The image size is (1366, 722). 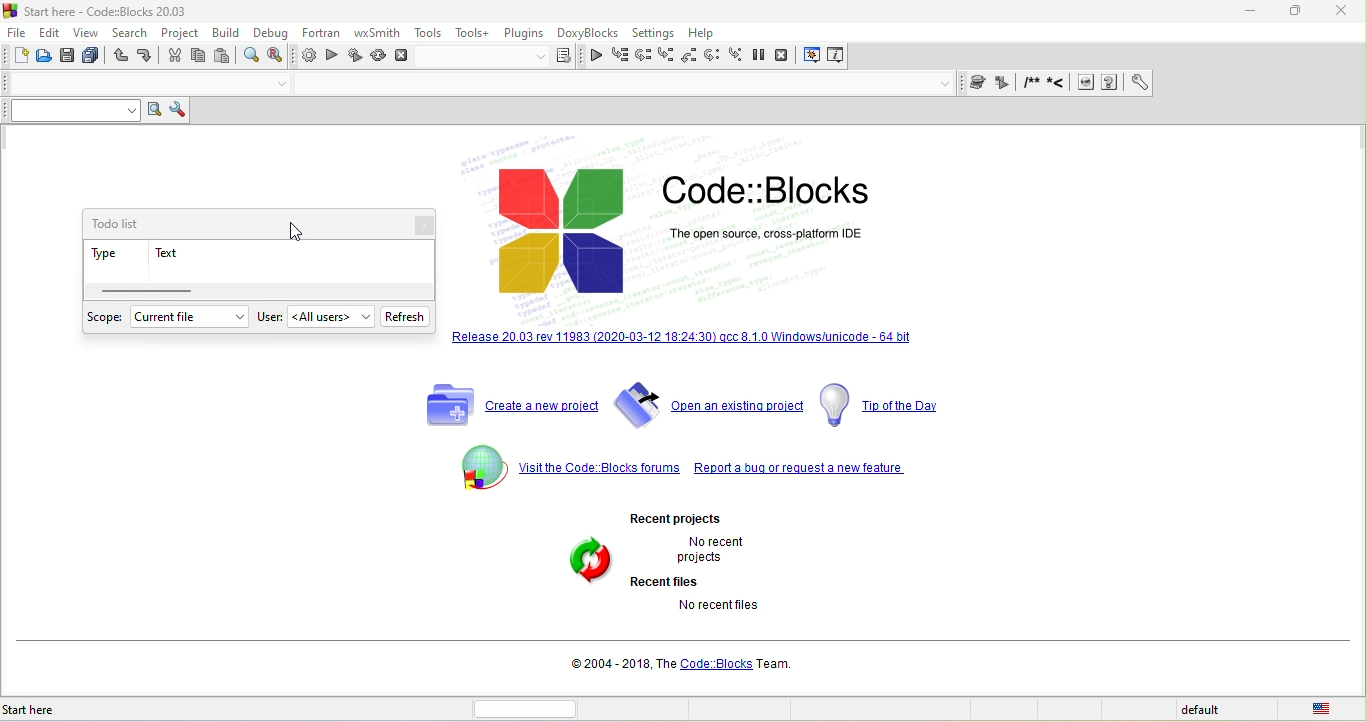 I want to click on debug, so click(x=273, y=33).